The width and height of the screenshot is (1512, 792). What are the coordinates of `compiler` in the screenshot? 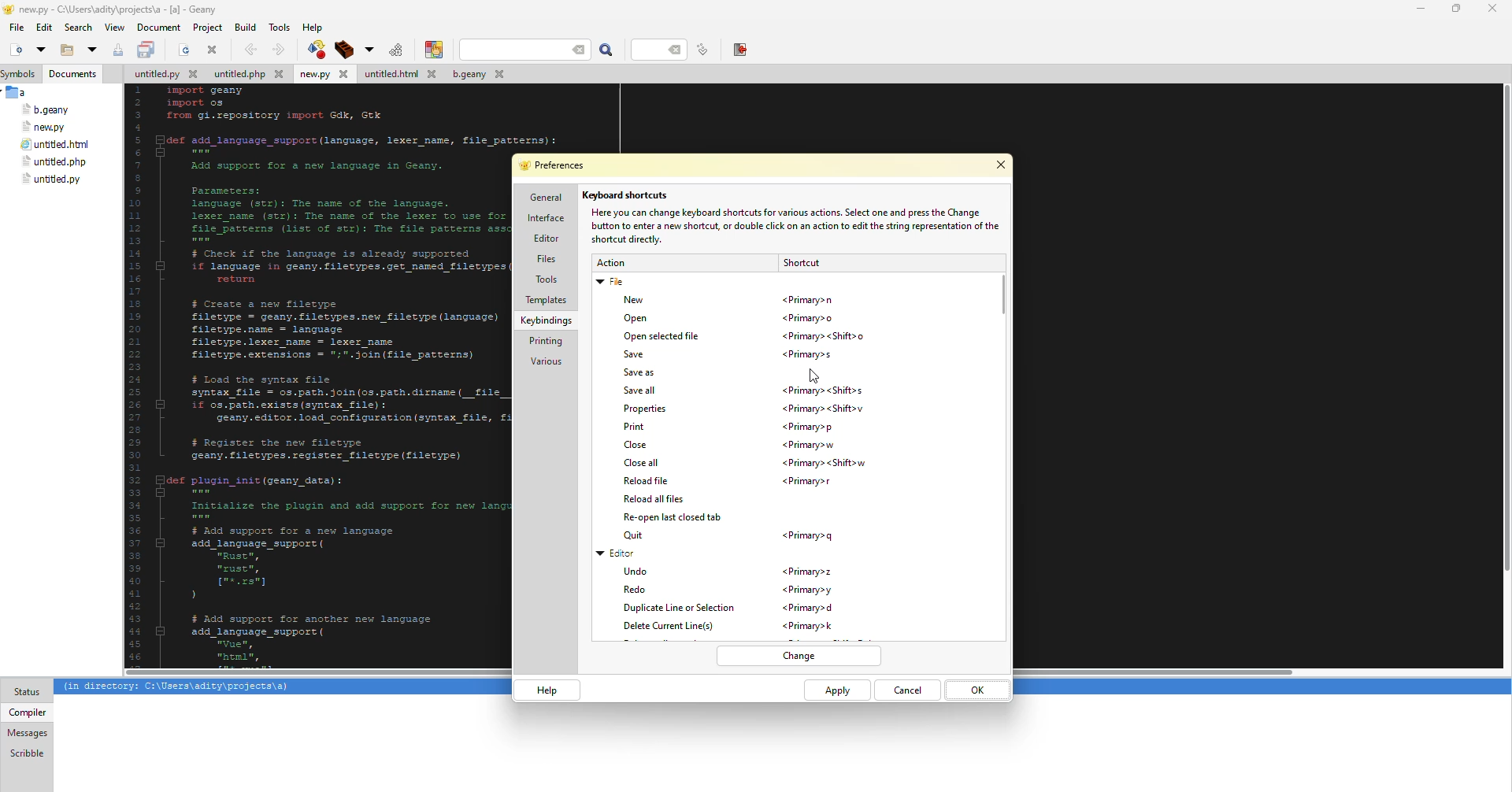 It's located at (26, 712).